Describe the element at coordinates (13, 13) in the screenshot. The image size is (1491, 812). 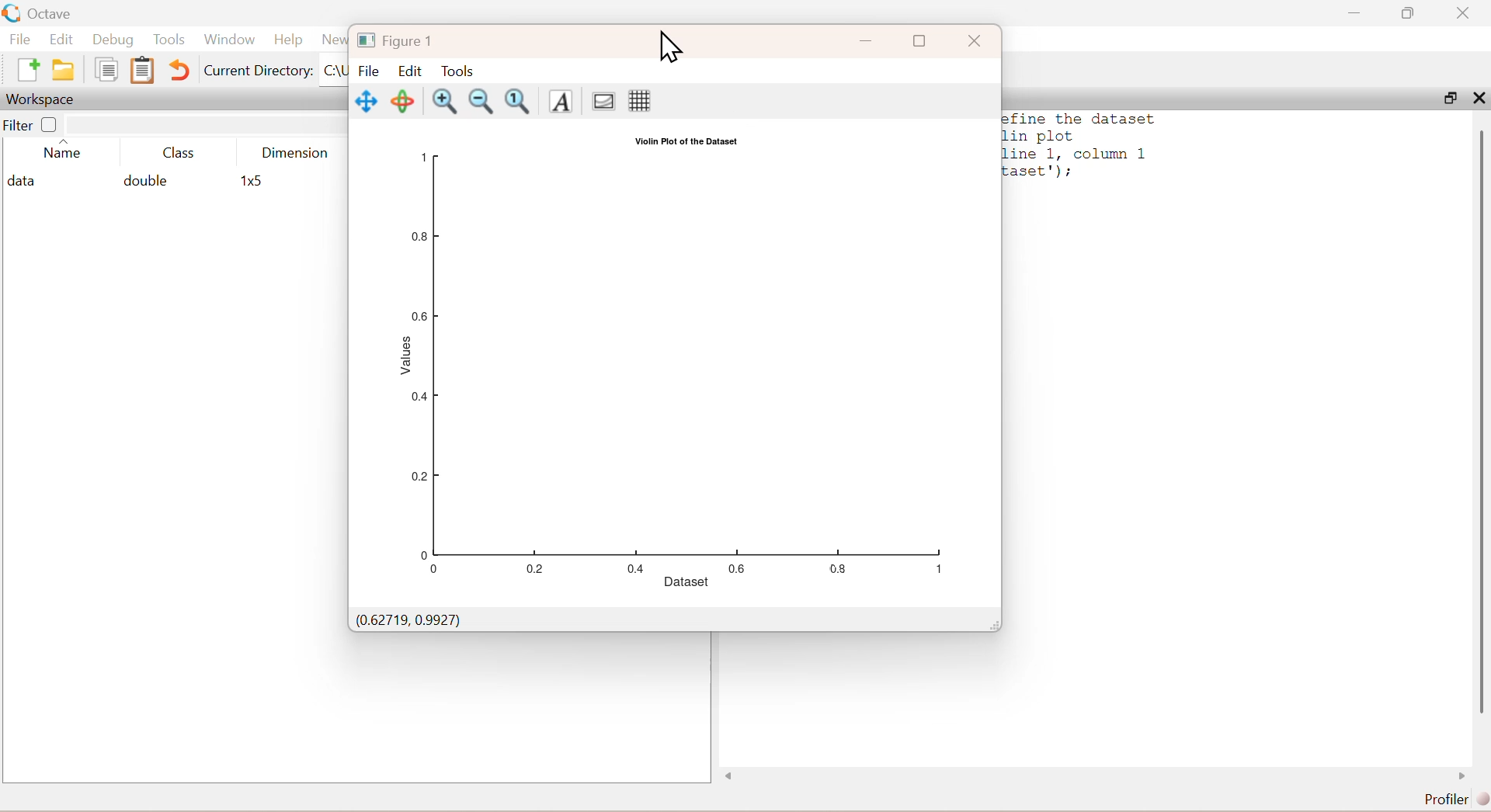
I see `logo` at that location.